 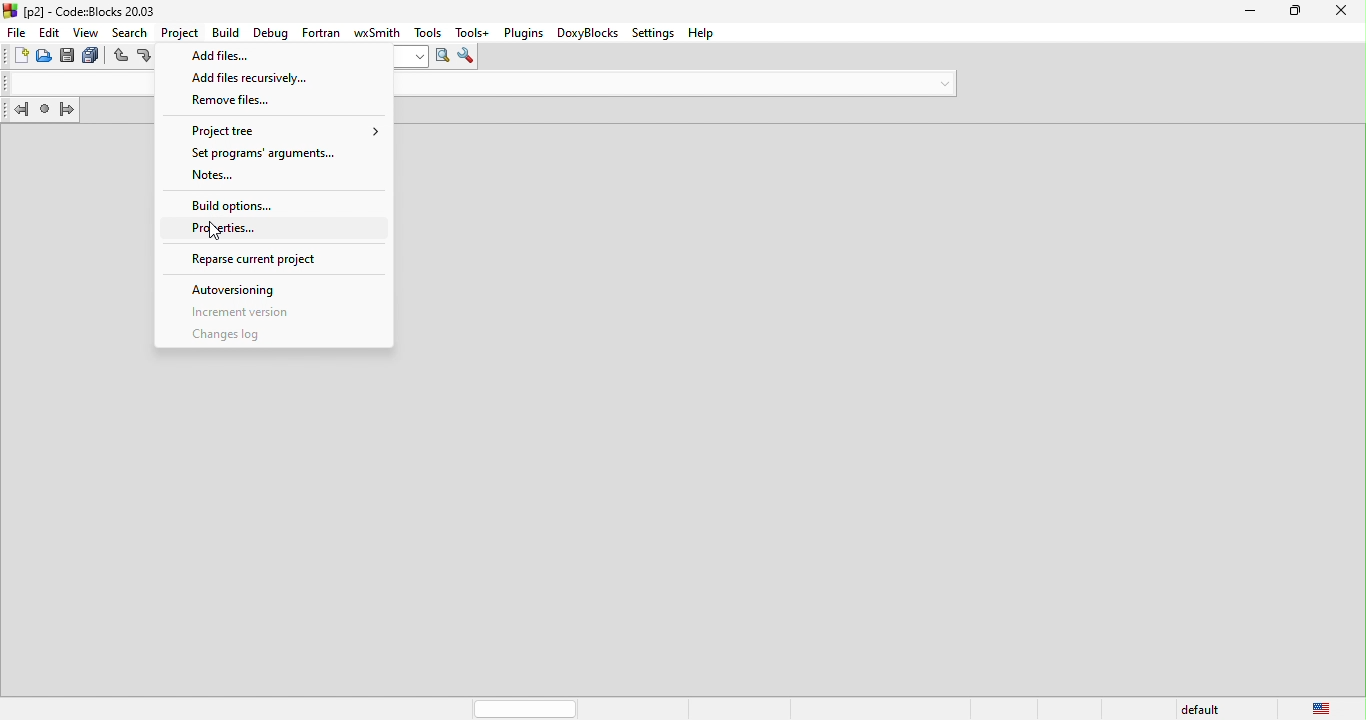 What do you see at coordinates (707, 33) in the screenshot?
I see `help` at bounding box center [707, 33].